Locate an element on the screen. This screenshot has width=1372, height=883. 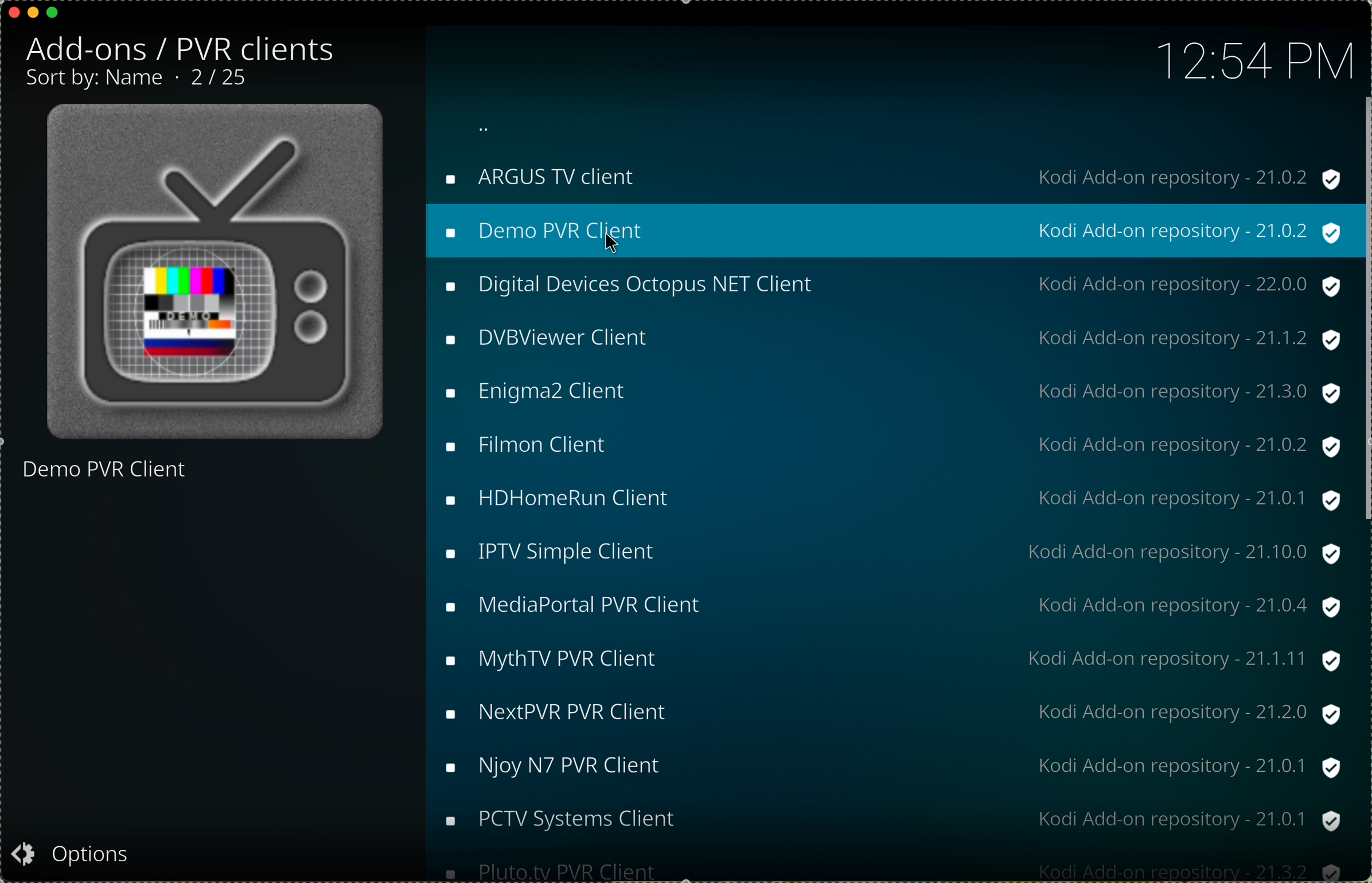
Kodi Add-on repository is located at coordinates (1135, 502).